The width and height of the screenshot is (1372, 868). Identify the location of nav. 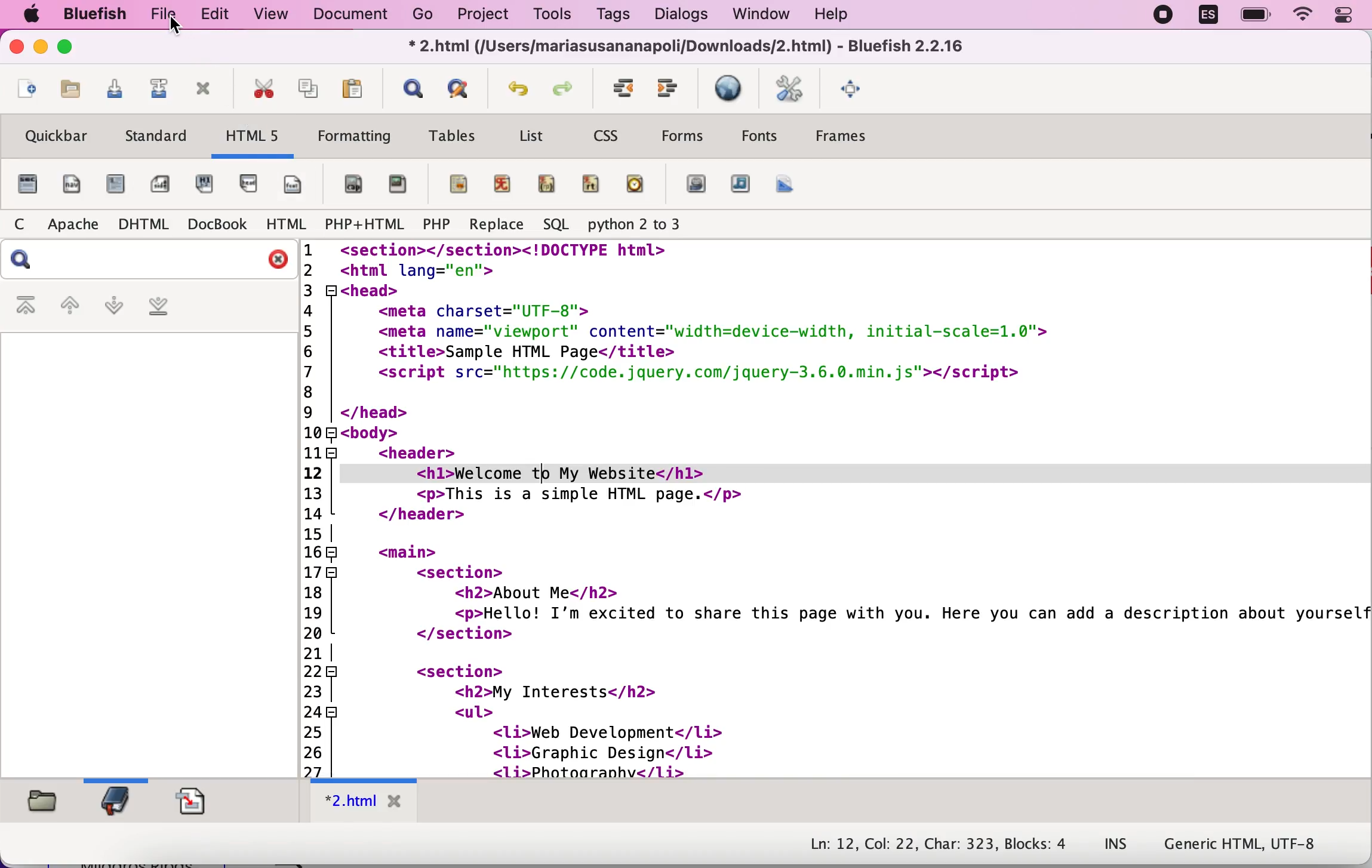
(69, 184).